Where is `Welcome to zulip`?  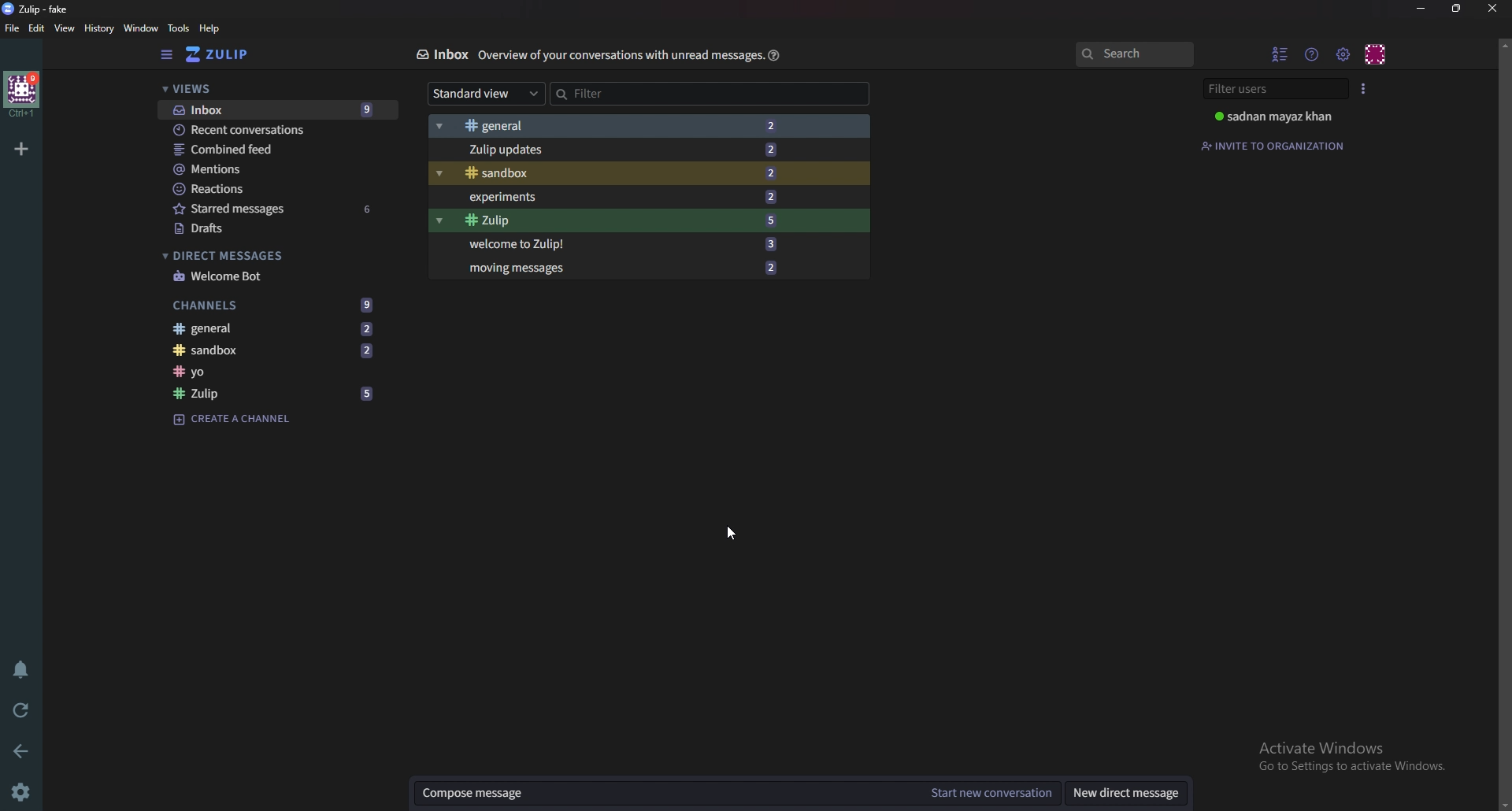 Welcome to zulip is located at coordinates (619, 246).